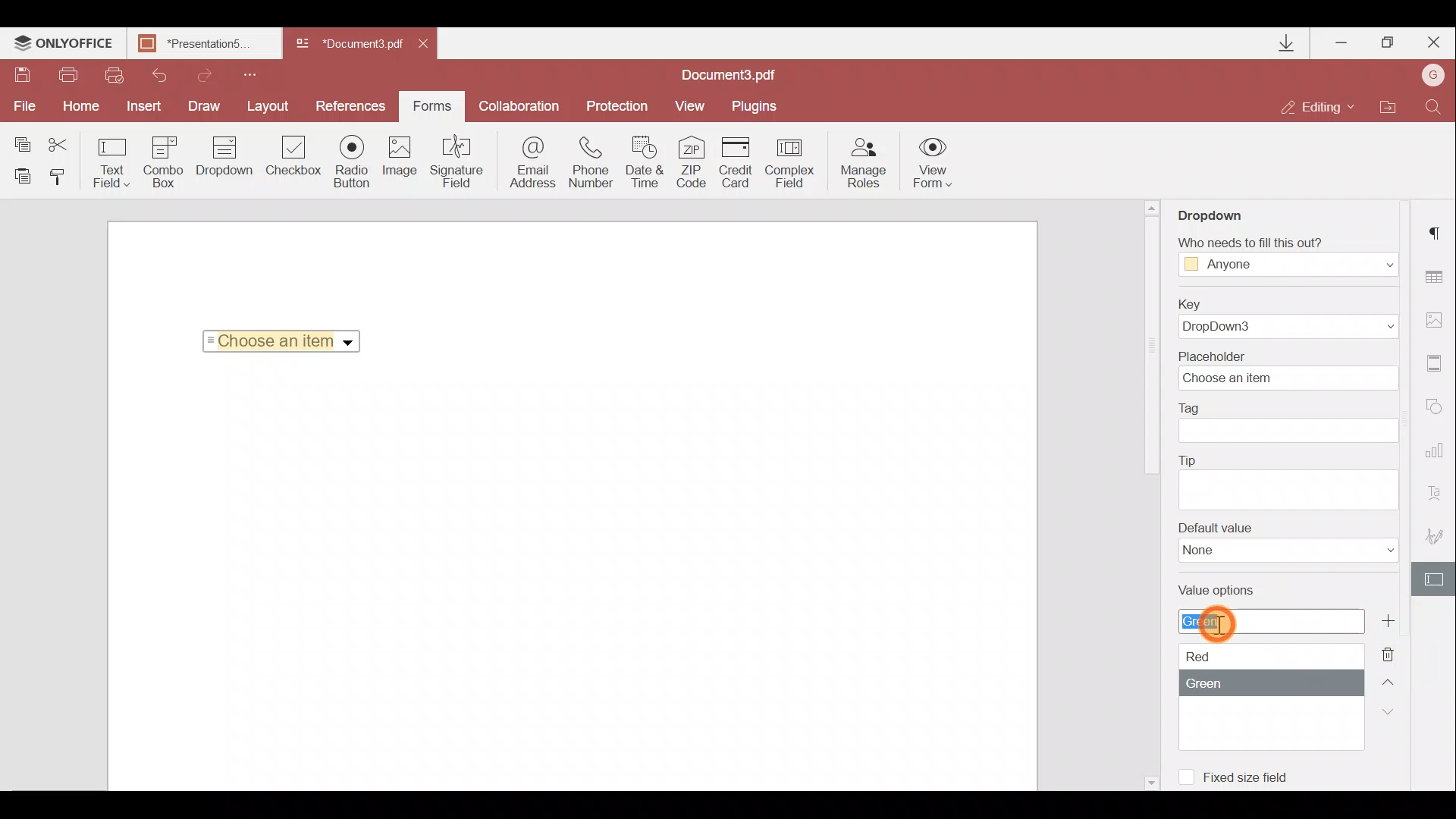 The width and height of the screenshot is (1456, 819). Describe the element at coordinates (18, 139) in the screenshot. I see `Copy` at that location.